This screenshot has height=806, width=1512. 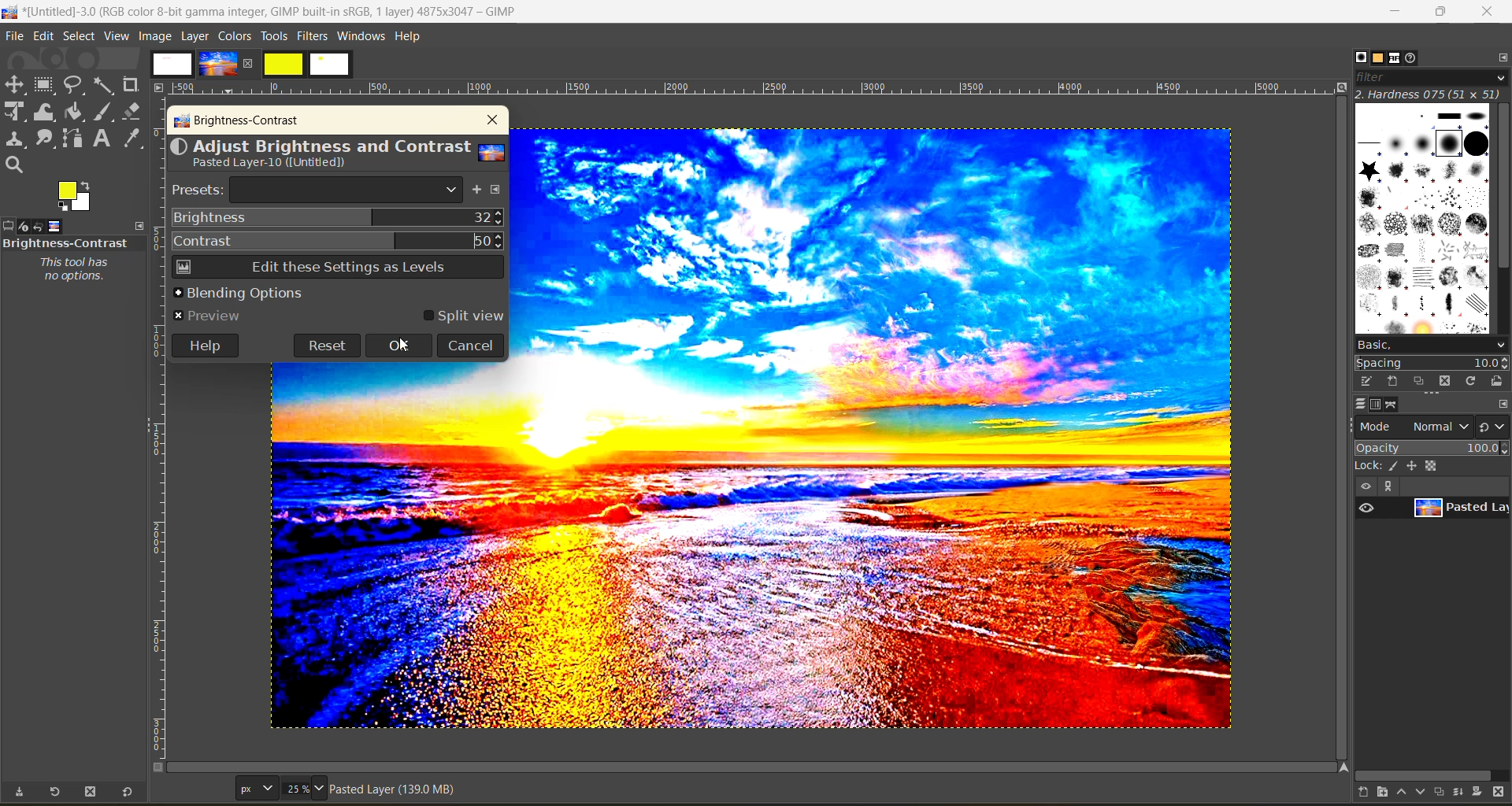 I want to click on hardness, so click(x=1431, y=94).